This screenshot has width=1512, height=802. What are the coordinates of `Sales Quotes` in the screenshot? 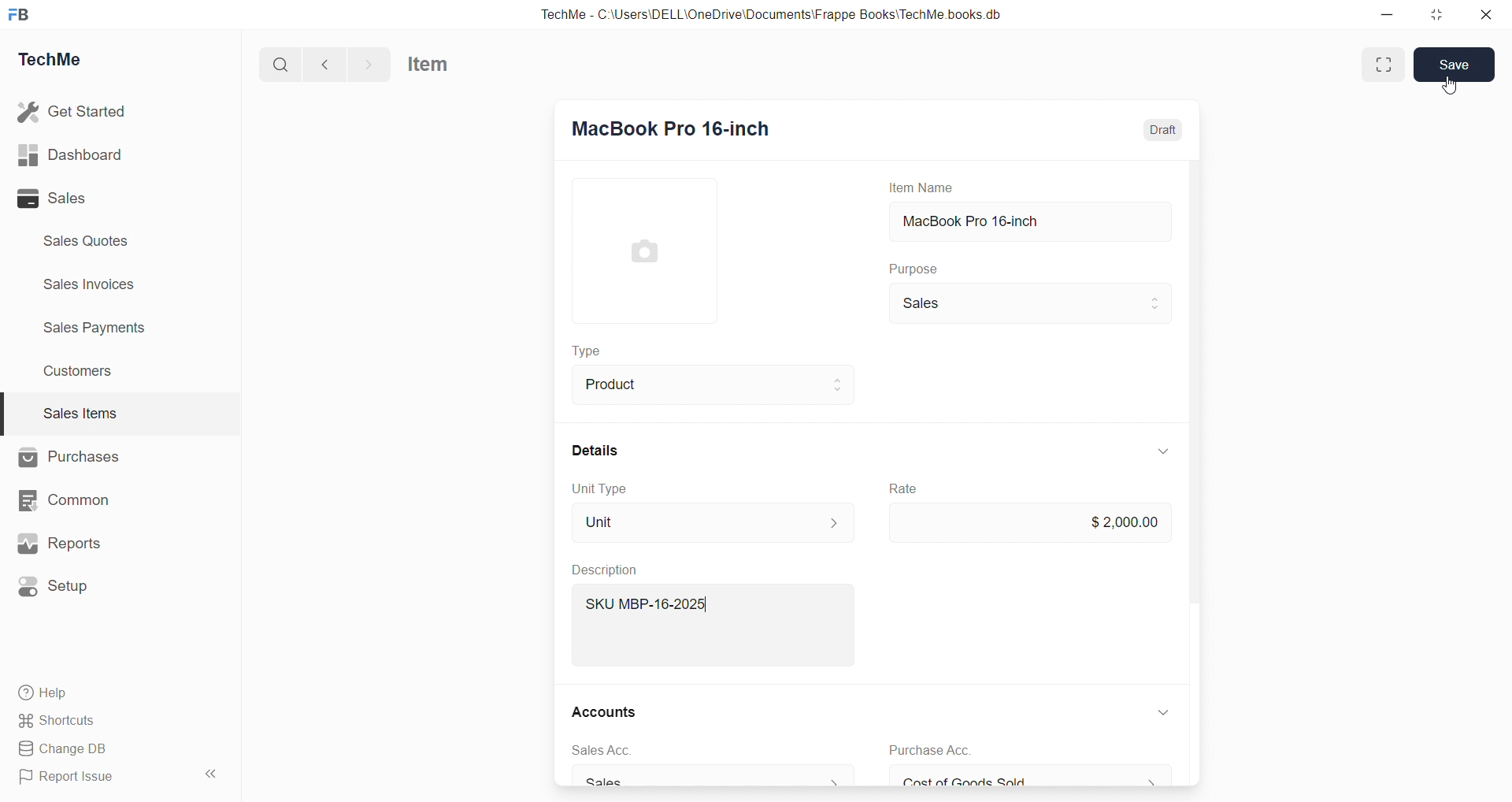 It's located at (87, 240).